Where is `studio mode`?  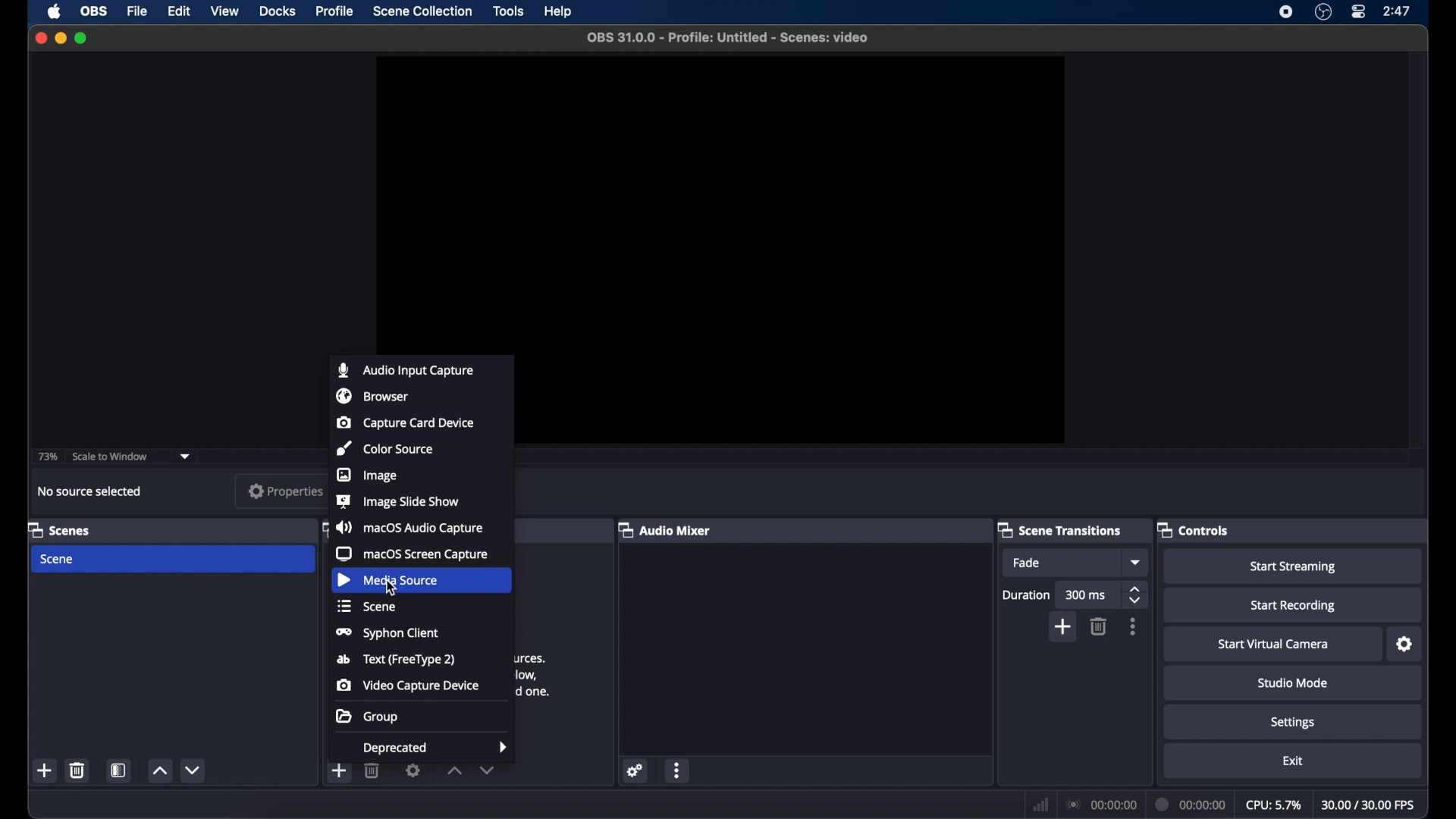
studio mode is located at coordinates (1293, 684).